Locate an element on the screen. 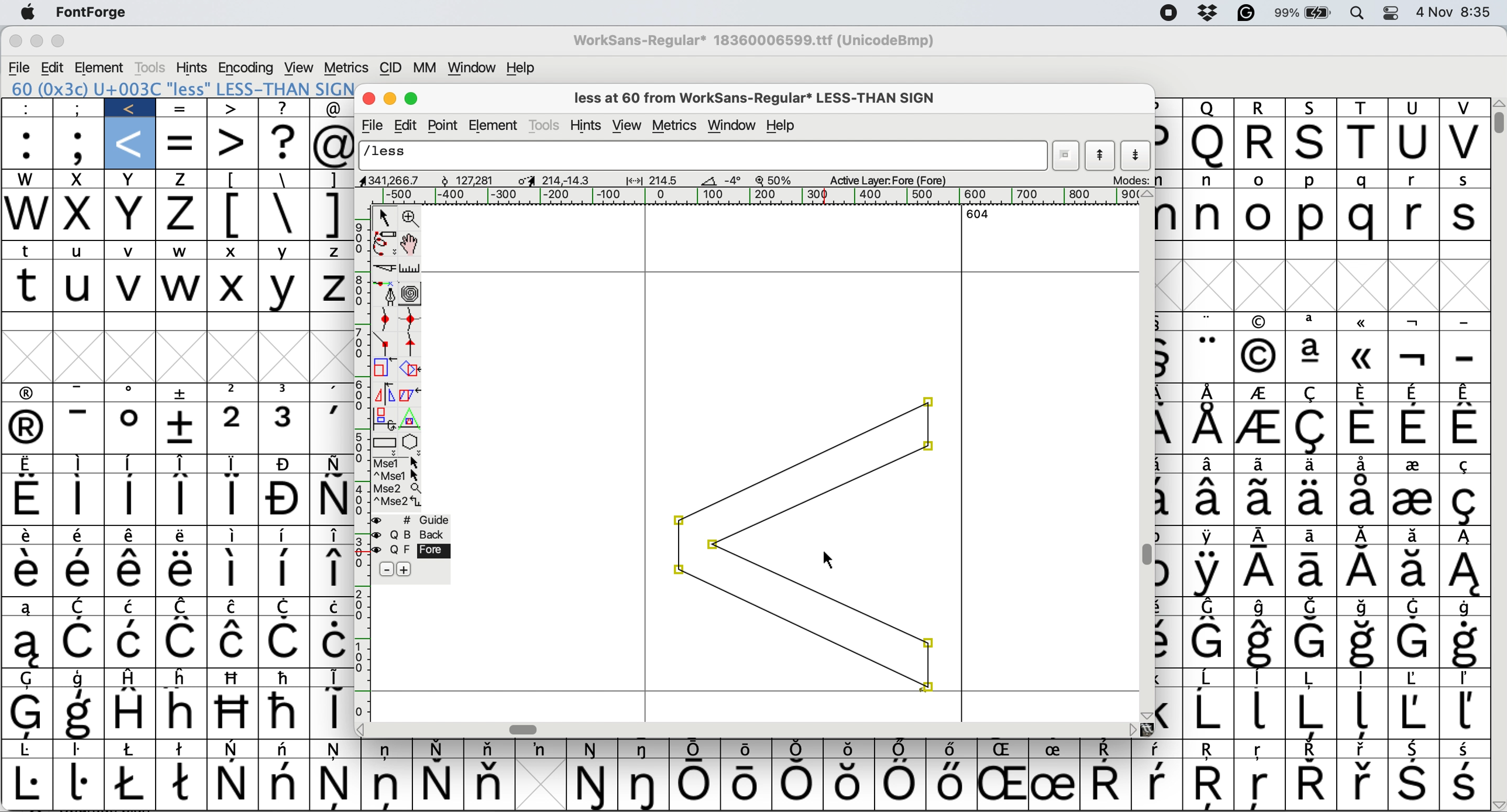 The width and height of the screenshot is (1507, 812). Symbol is located at coordinates (29, 644).